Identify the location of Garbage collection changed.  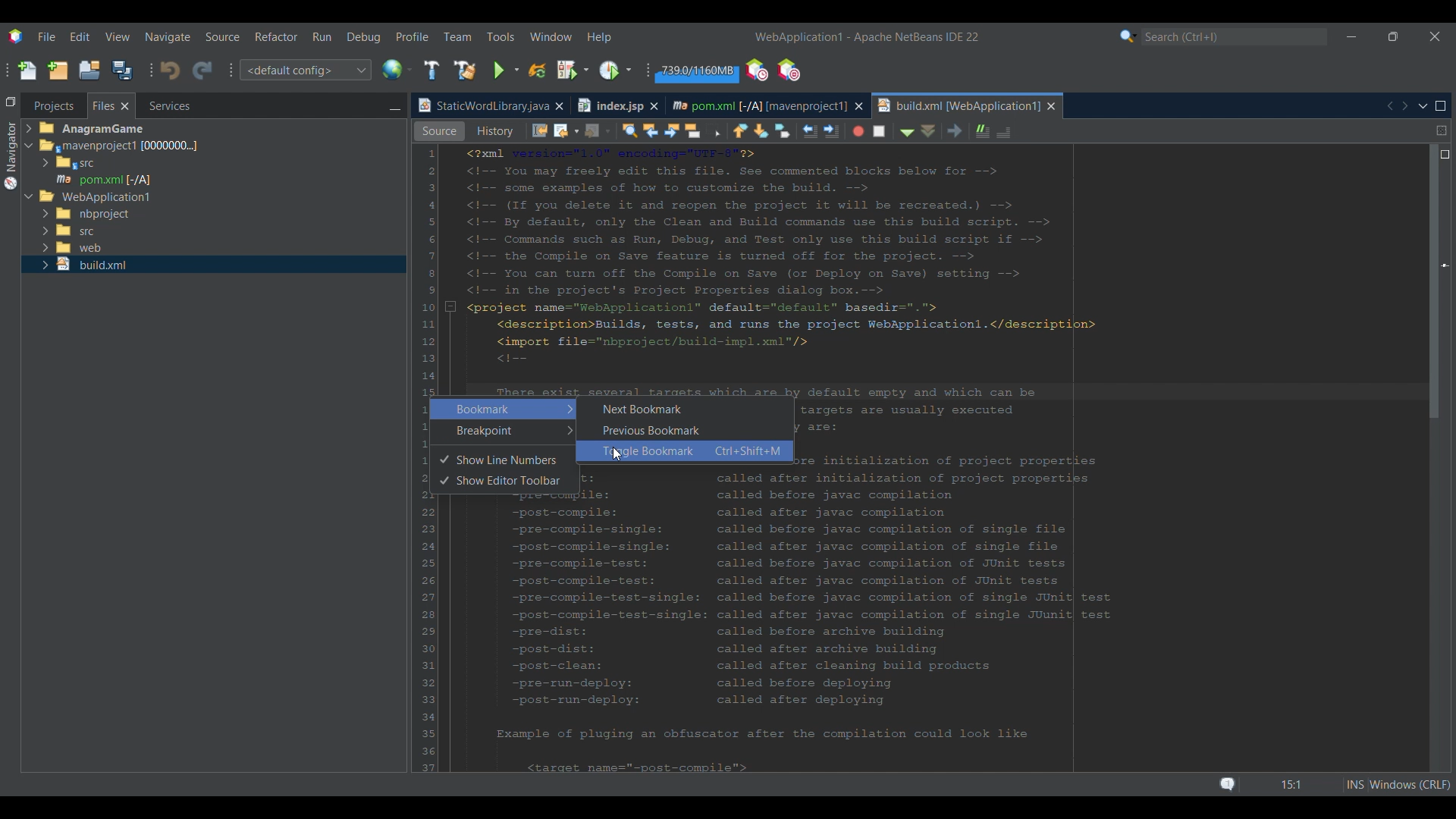
(696, 73).